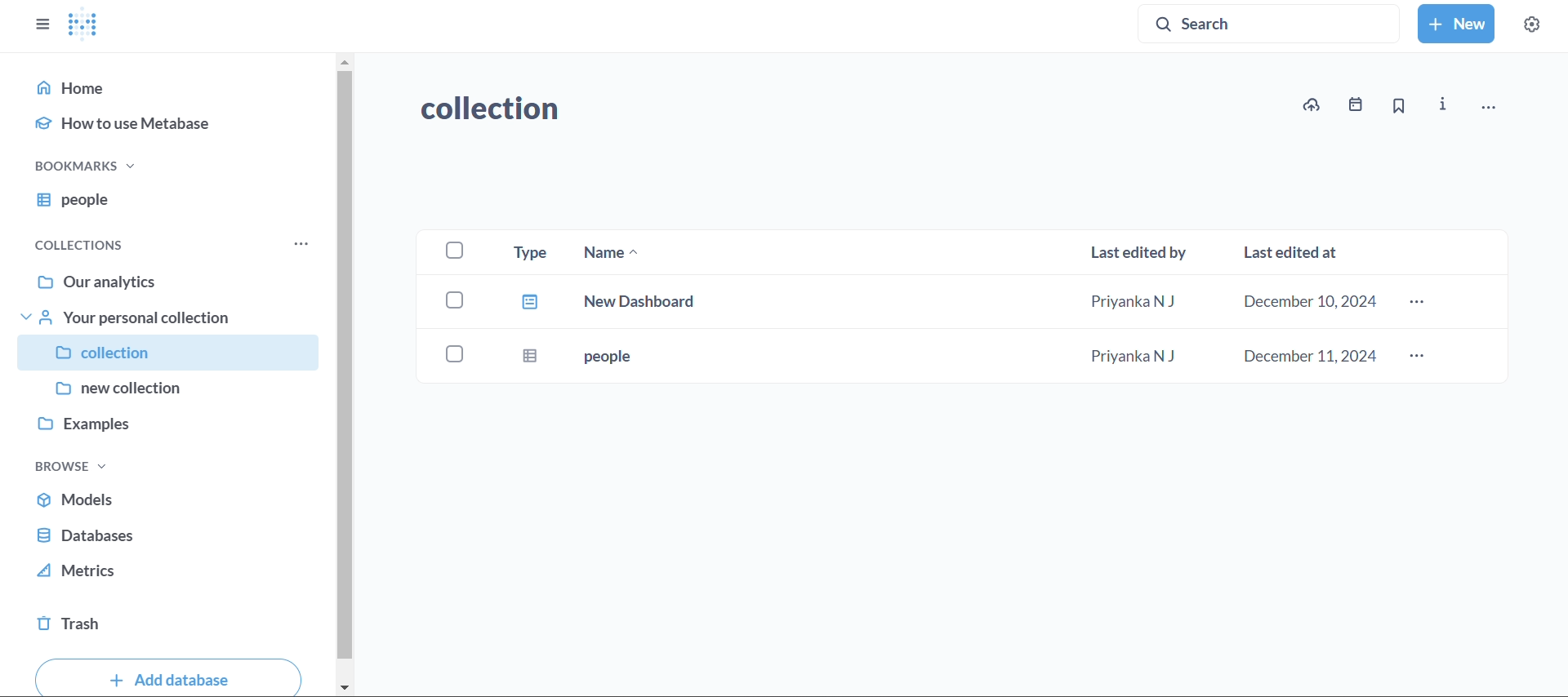  I want to click on search, so click(1267, 24).